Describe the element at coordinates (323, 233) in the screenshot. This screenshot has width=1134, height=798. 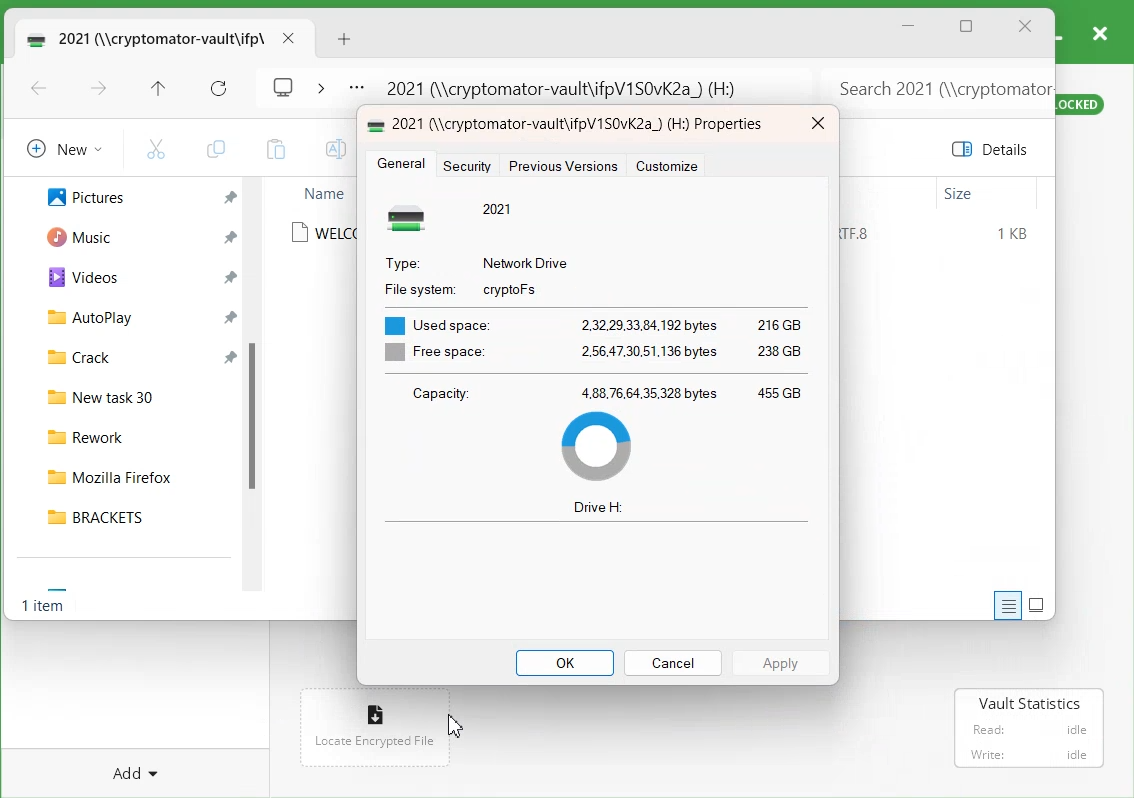
I see `Welcome.rtf` at that location.